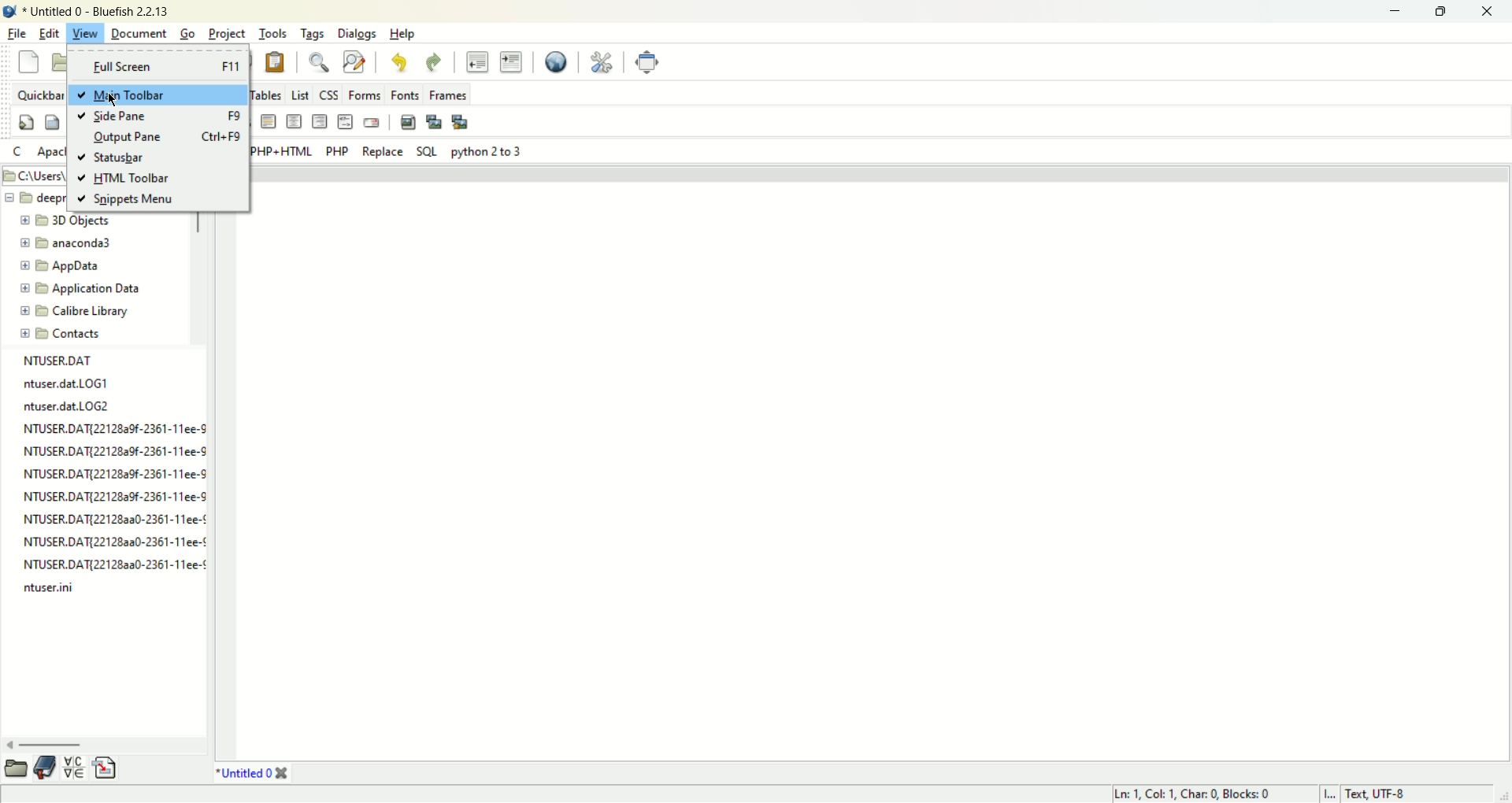  What do you see at coordinates (283, 152) in the screenshot?
I see `PHP+HTML` at bounding box center [283, 152].